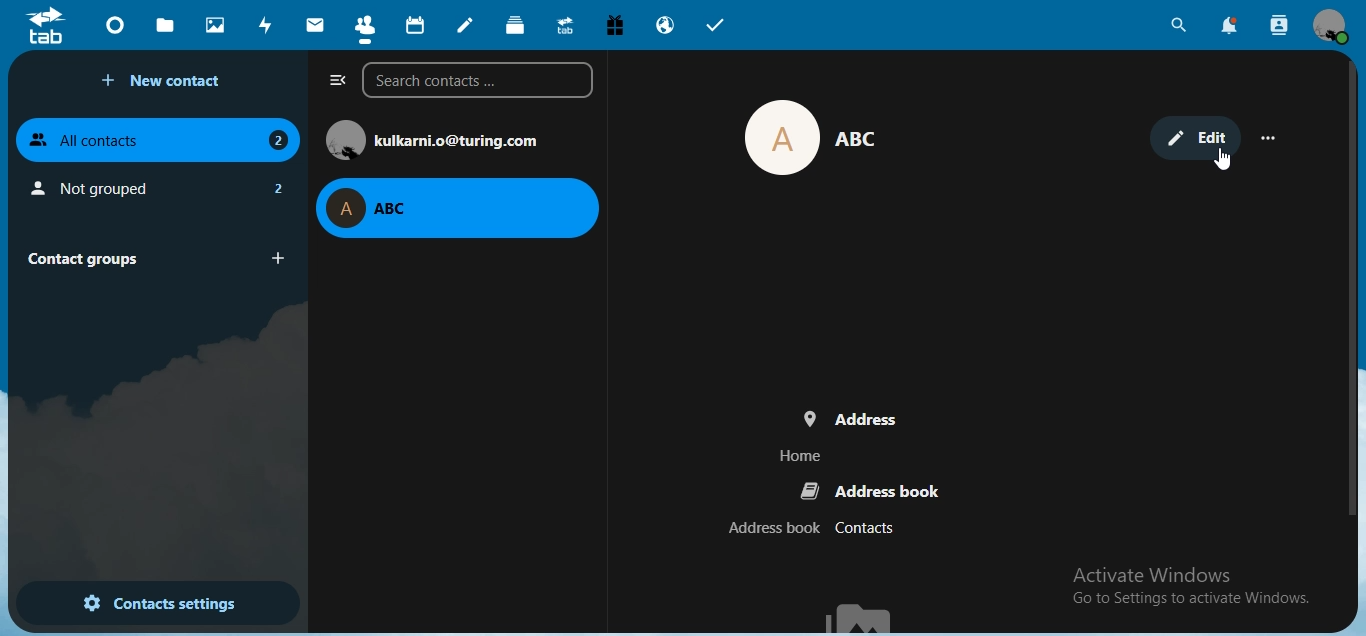  What do you see at coordinates (518, 26) in the screenshot?
I see `deck` at bounding box center [518, 26].